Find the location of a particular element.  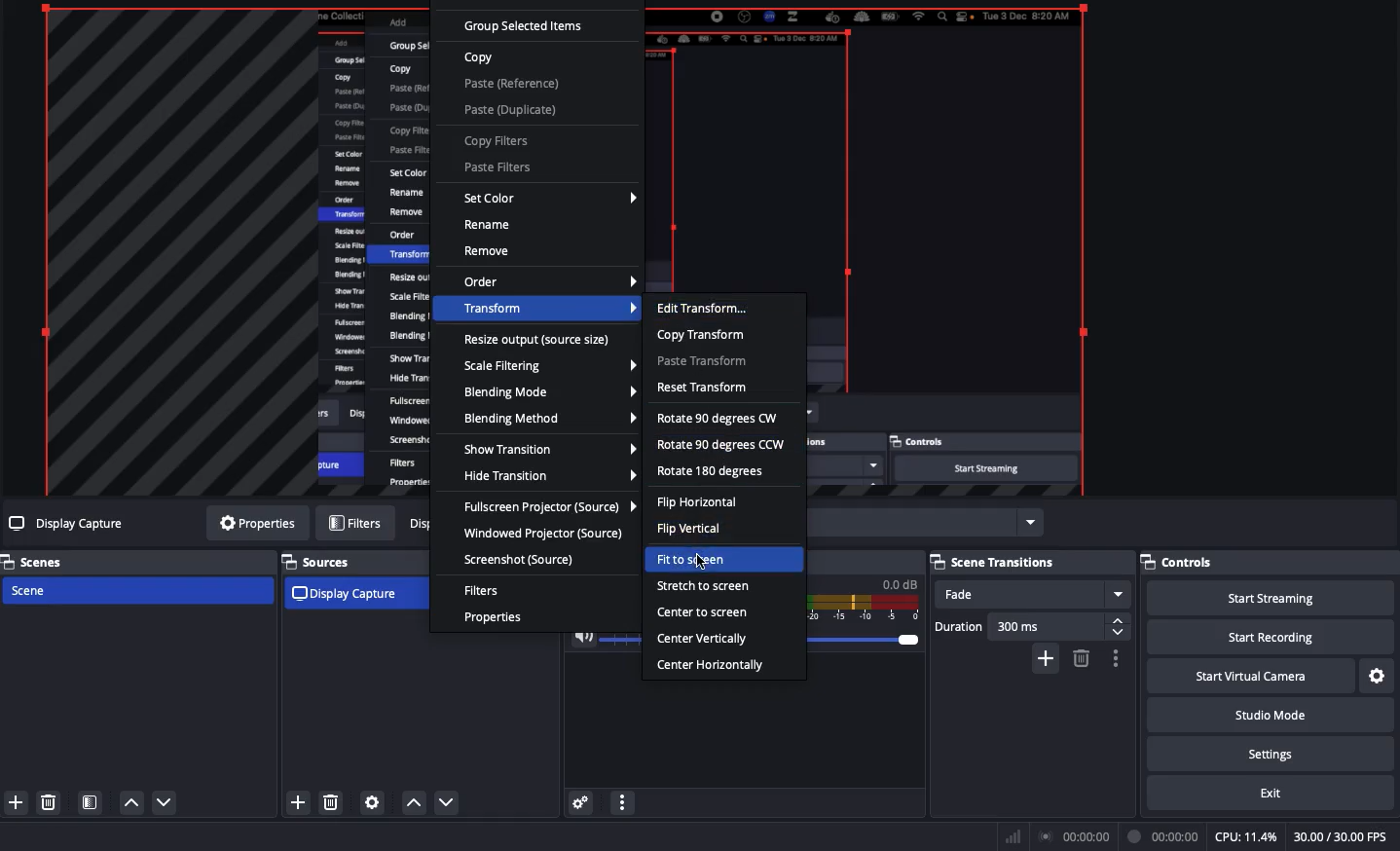

Start virtual camera is located at coordinates (1250, 679).